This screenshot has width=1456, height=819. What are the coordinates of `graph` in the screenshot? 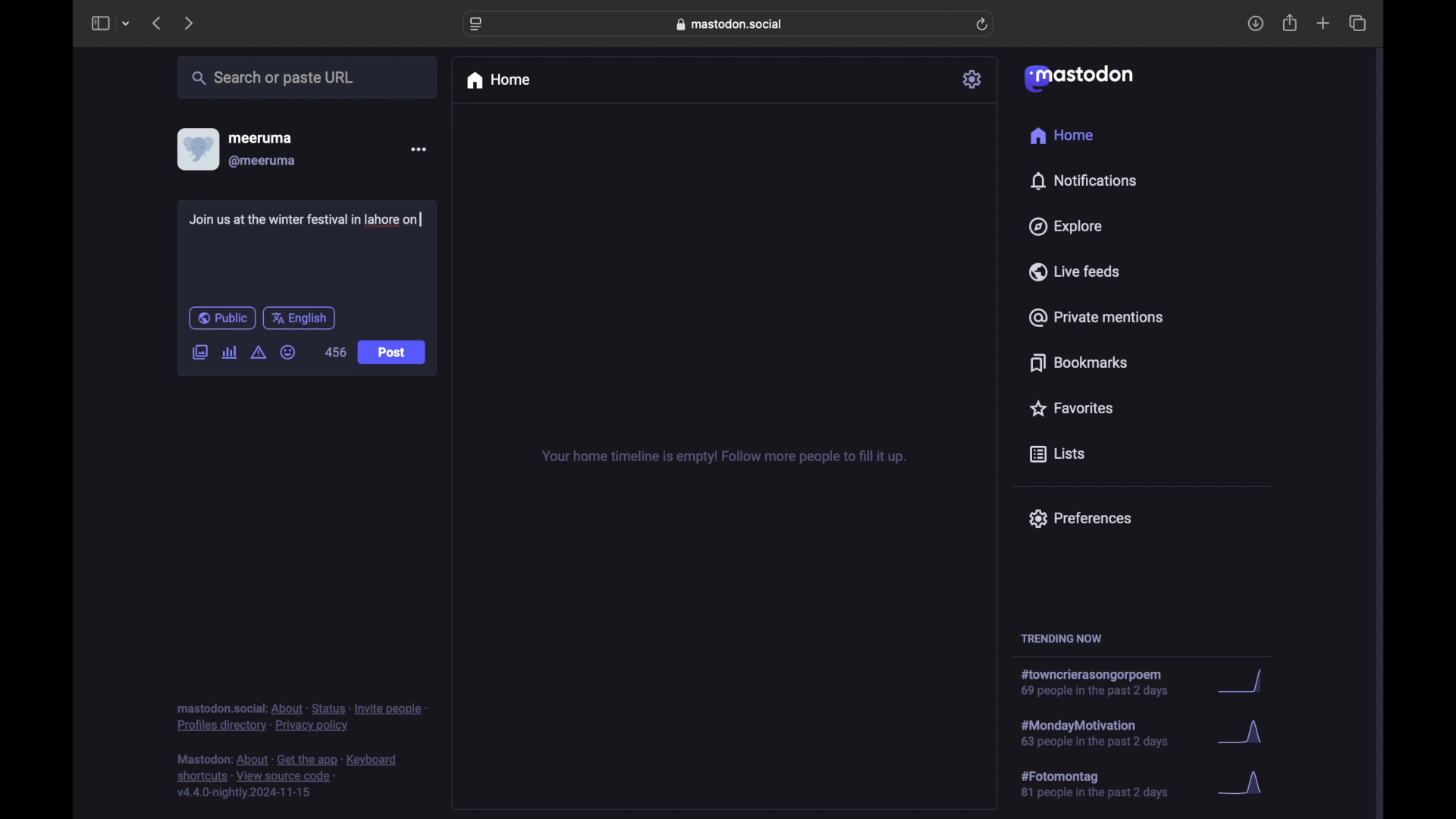 It's located at (1244, 682).